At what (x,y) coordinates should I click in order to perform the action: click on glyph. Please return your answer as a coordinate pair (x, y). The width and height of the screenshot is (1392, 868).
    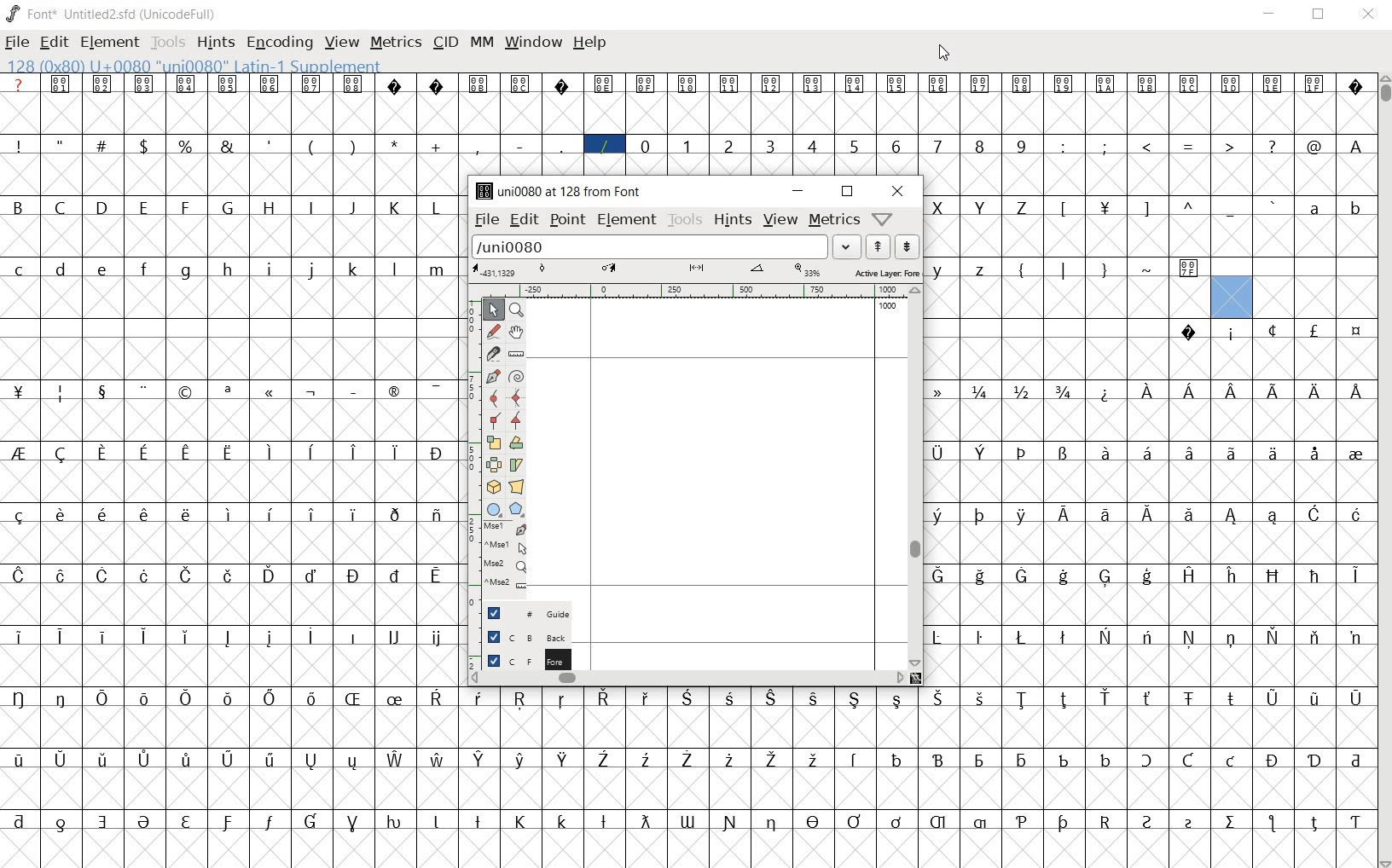
    Looking at the image, I should click on (271, 393).